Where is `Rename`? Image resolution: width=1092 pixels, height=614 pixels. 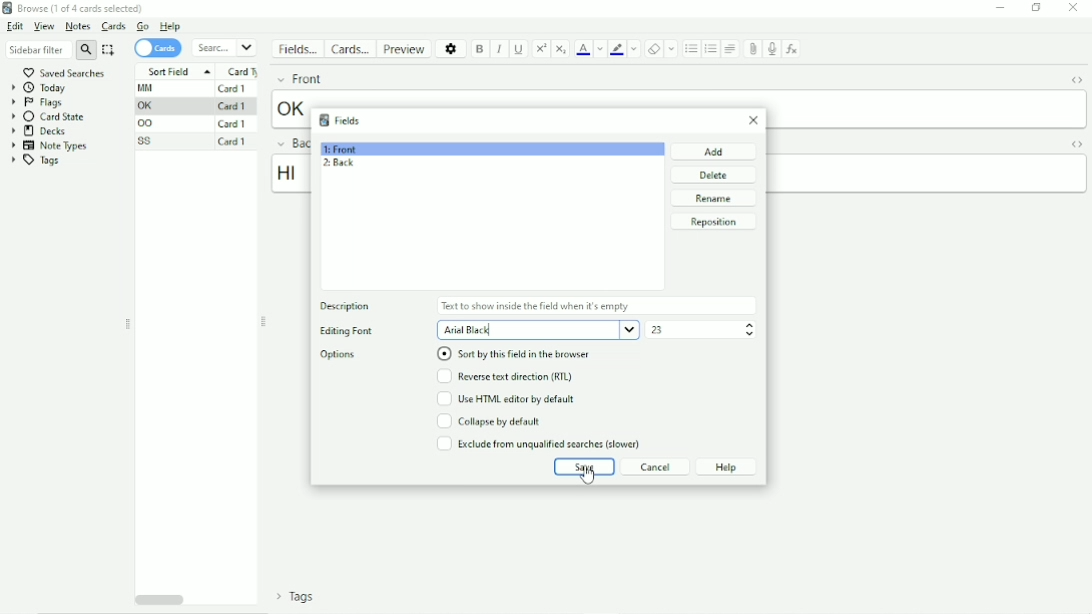 Rename is located at coordinates (712, 198).